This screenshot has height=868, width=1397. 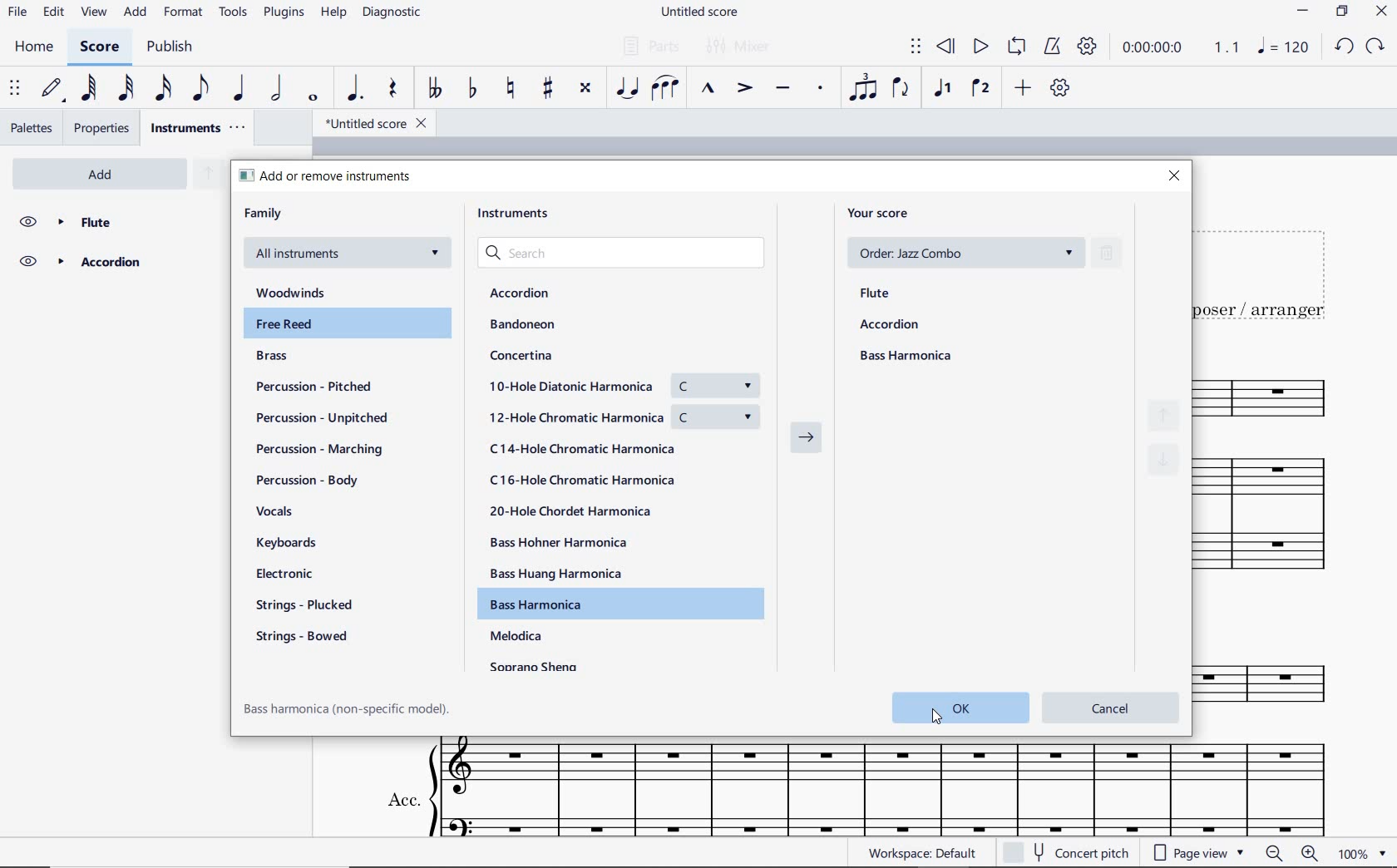 I want to click on 32nd note, so click(x=125, y=89).